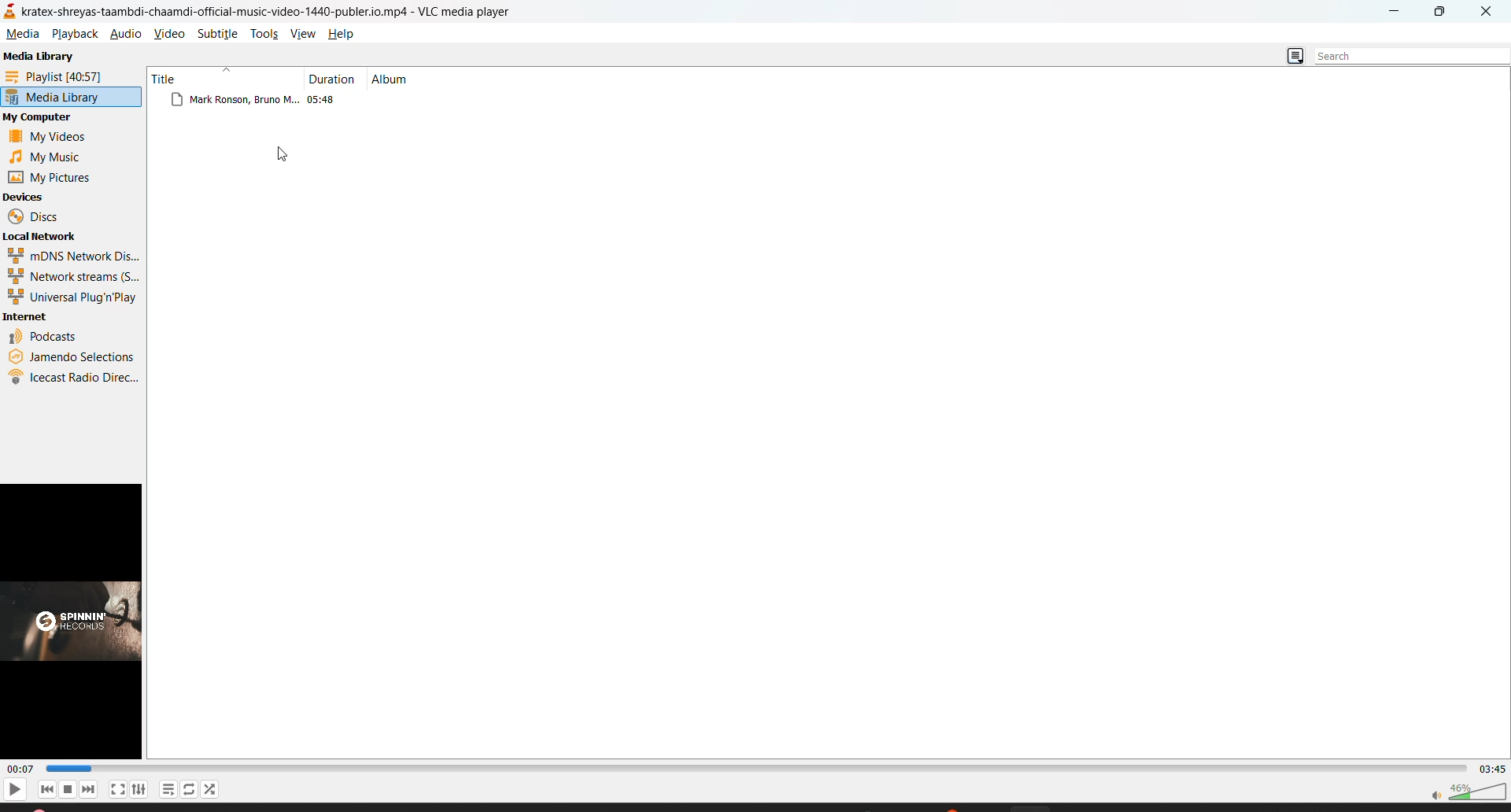 Image resolution: width=1511 pixels, height=812 pixels. What do you see at coordinates (206, 789) in the screenshot?
I see `random` at bounding box center [206, 789].